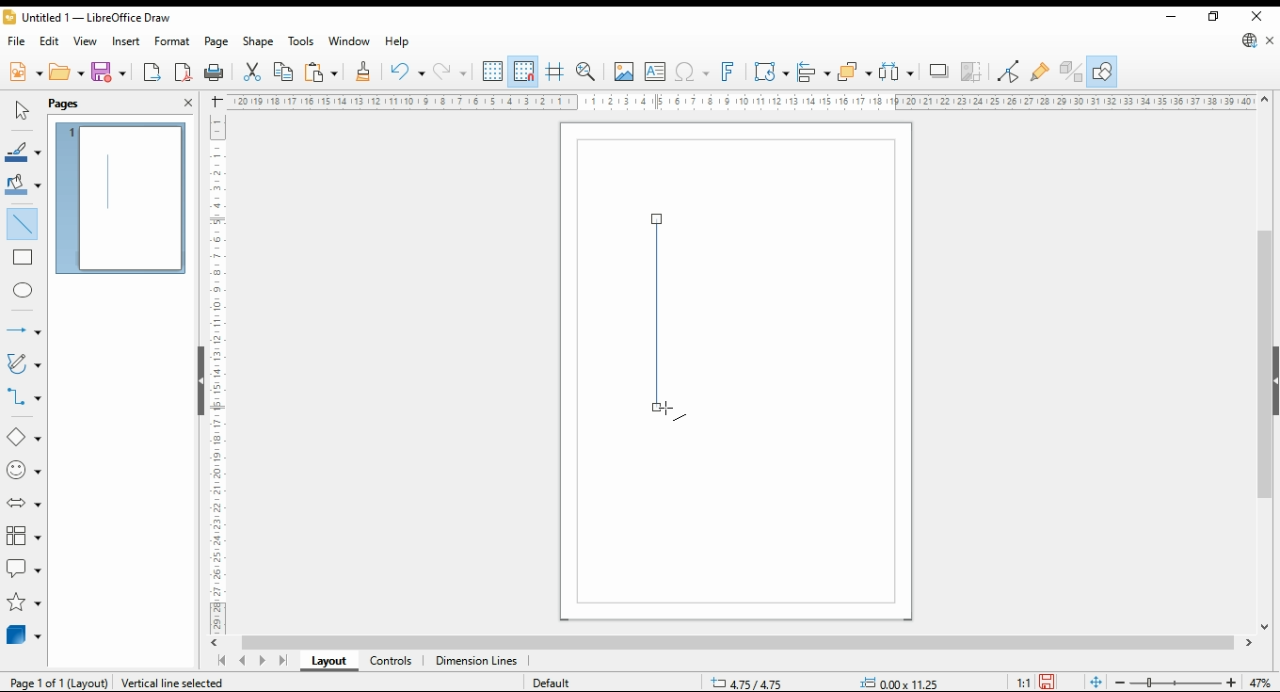  What do you see at coordinates (493, 70) in the screenshot?
I see `display grid` at bounding box center [493, 70].